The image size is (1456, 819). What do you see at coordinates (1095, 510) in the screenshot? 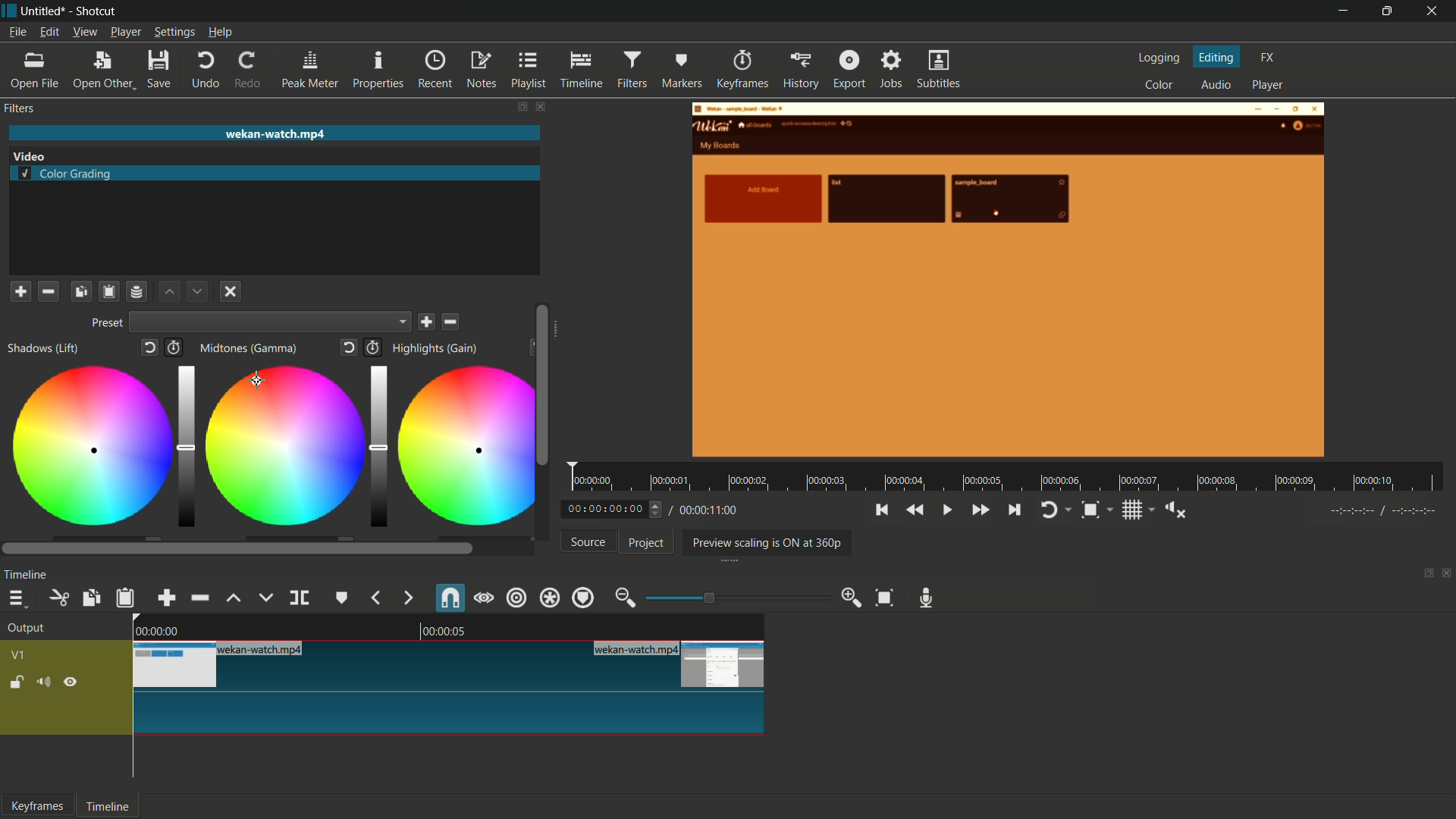
I see `toggle zoom` at bounding box center [1095, 510].